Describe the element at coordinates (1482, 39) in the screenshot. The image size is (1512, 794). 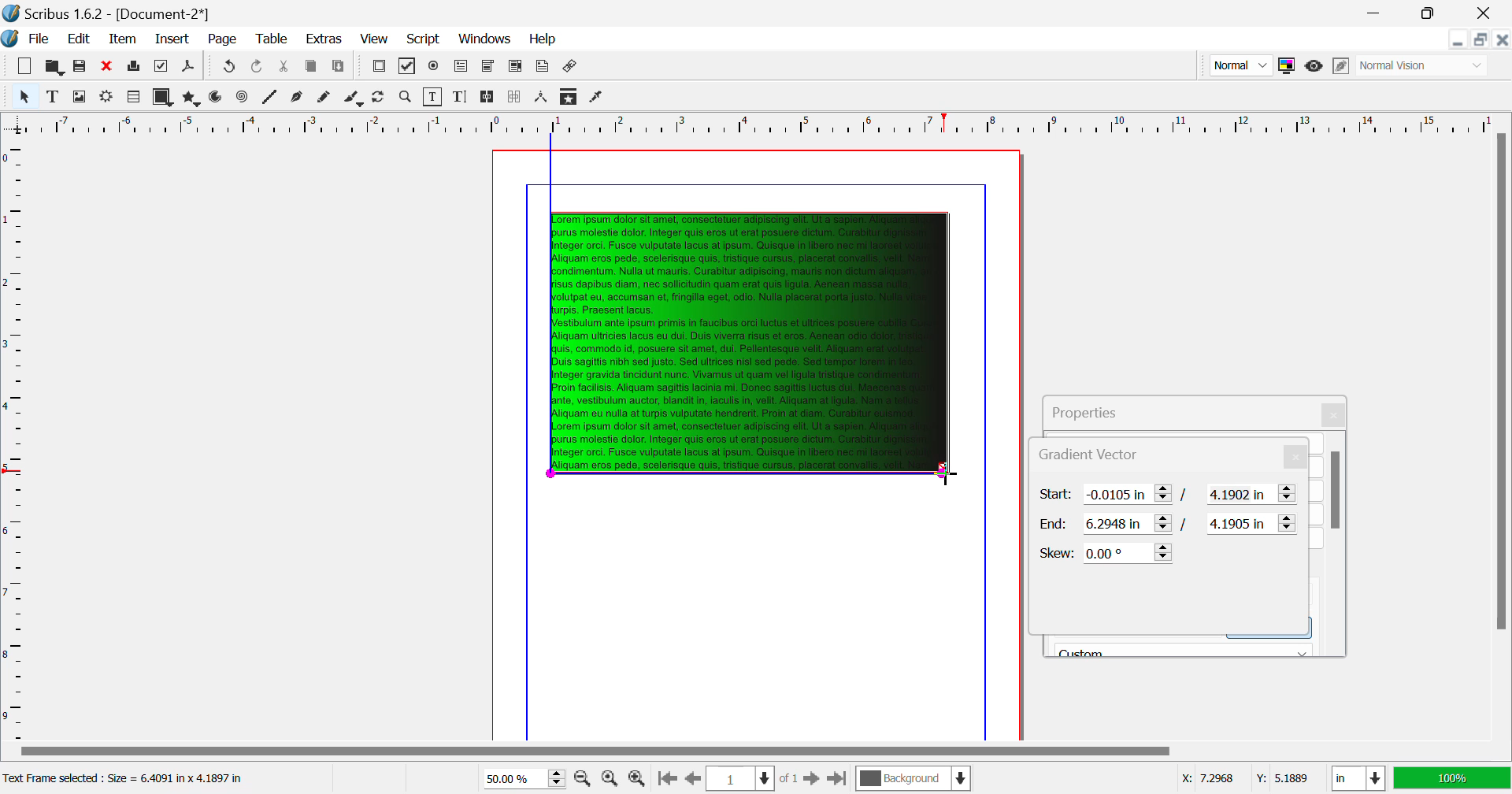
I see `Minimize` at that location.